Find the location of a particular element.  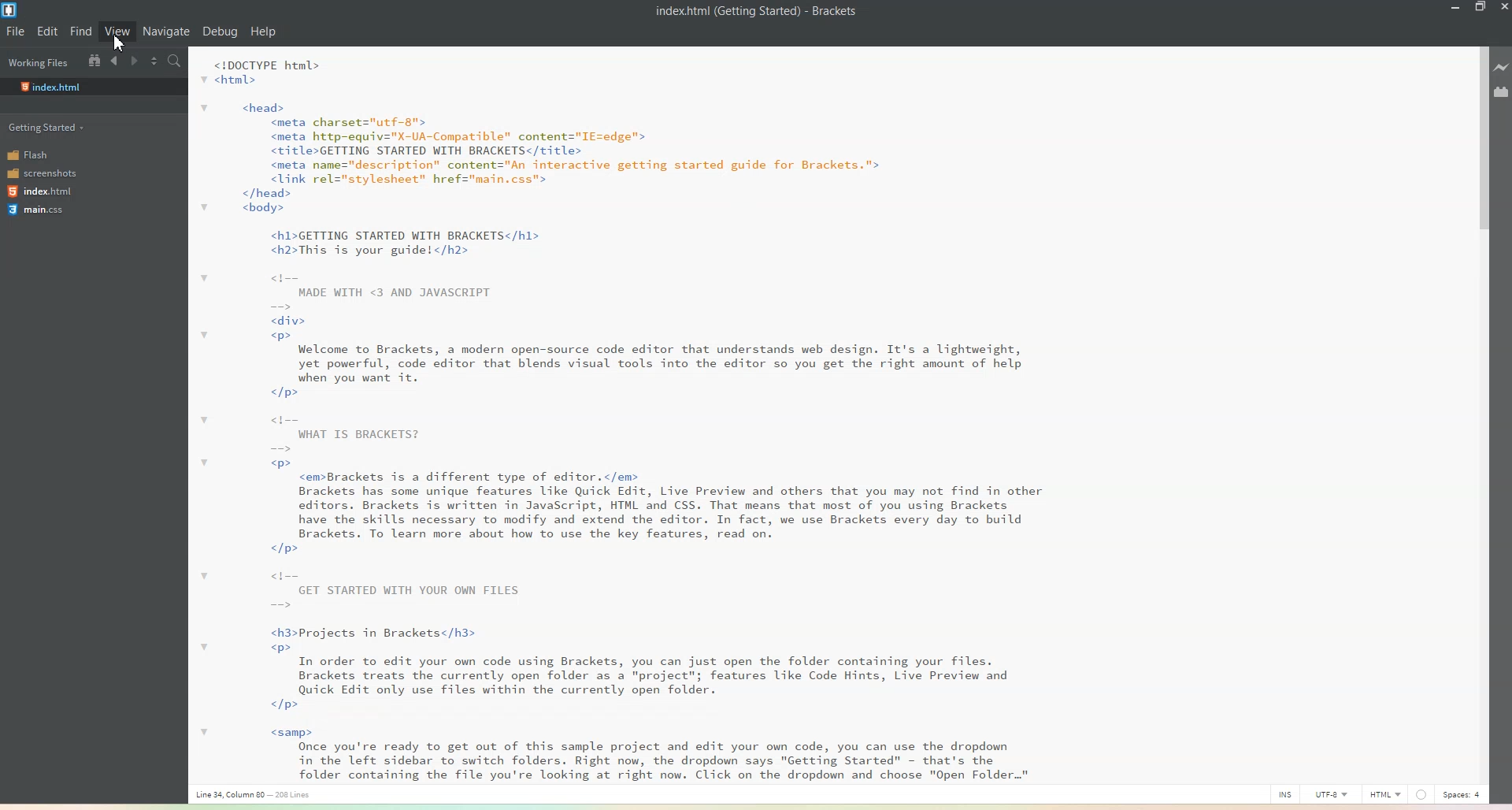

Navigate Backward is located at coordinates (116, 60).